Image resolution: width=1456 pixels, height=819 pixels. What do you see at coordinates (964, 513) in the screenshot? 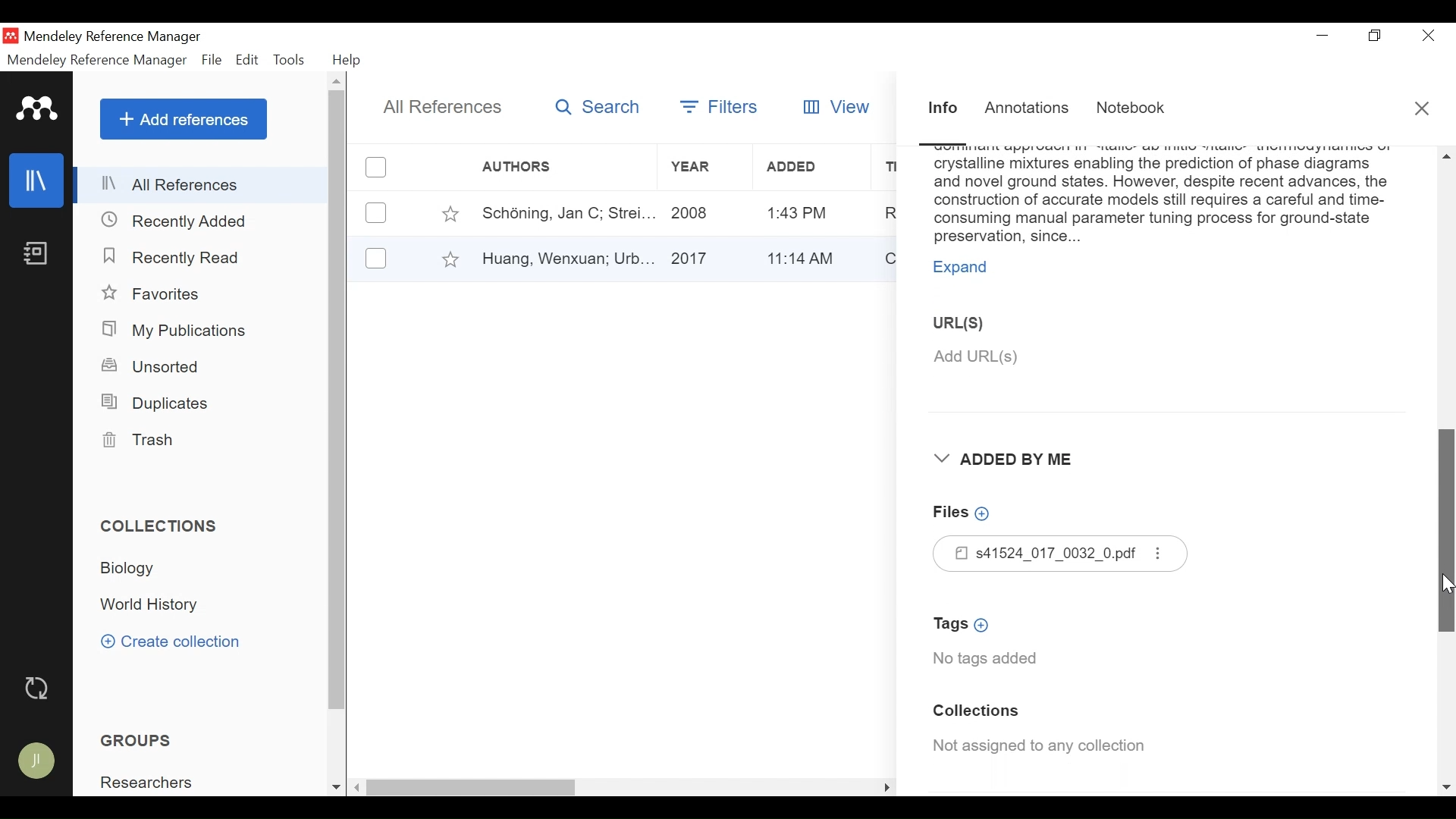
I see `Add Files` at bounding box center [964, 513].